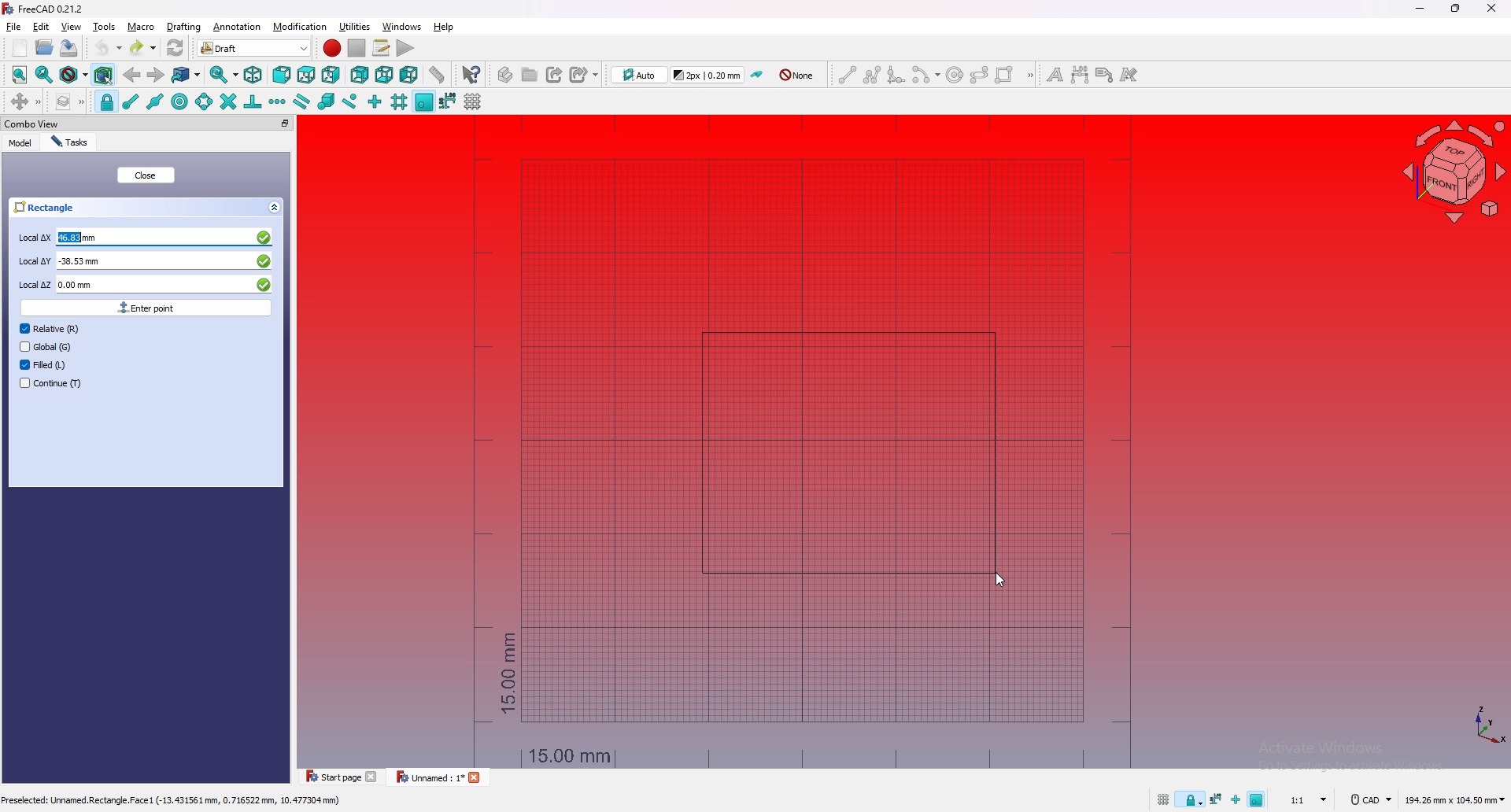 This screenshot has height=812, width=1511. What do you see at coordinates (282, 75) in the screenshot?
I see `front` at bounding box center [282, 75].